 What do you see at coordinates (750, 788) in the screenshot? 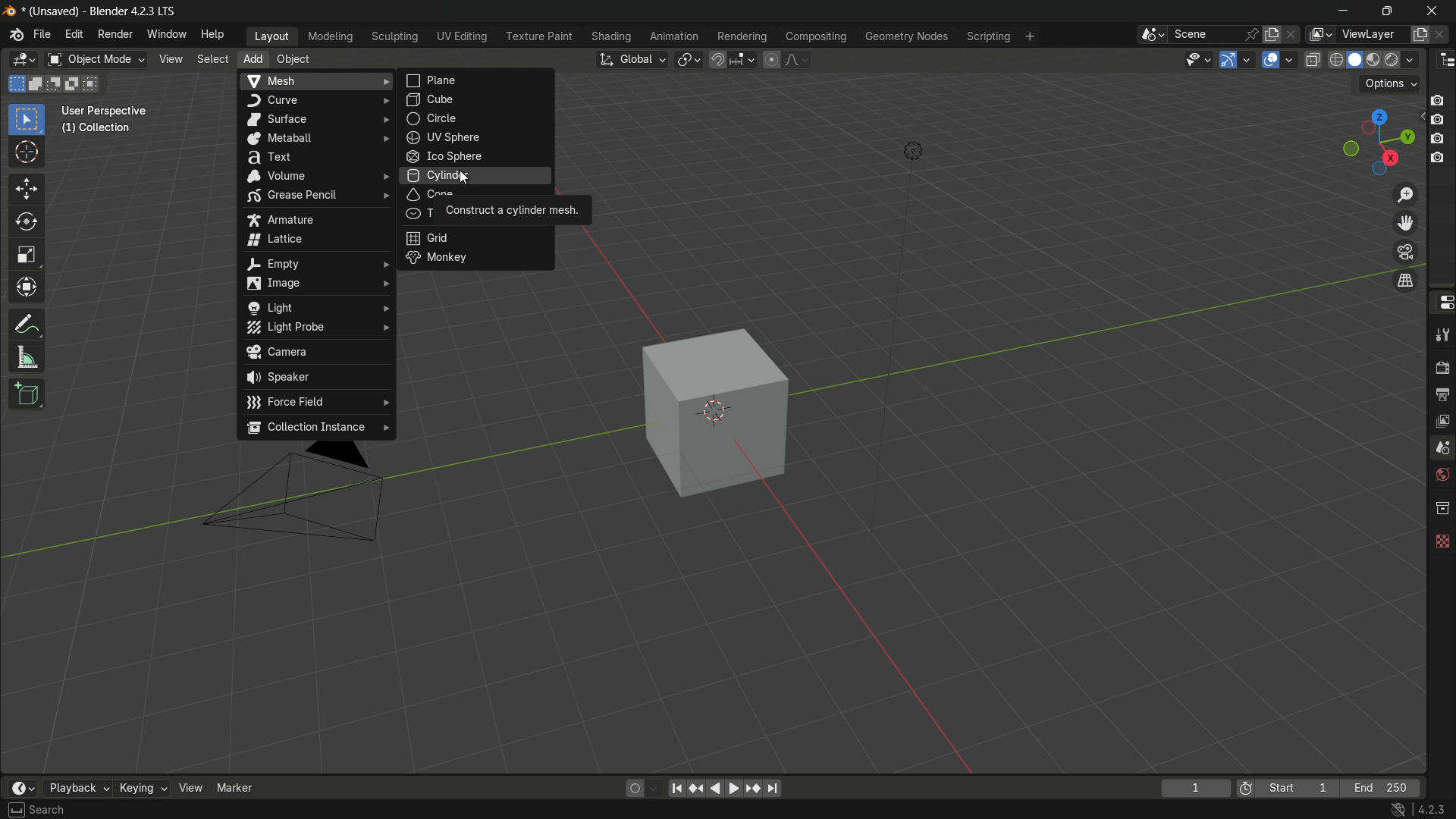
I see `jump to keyframe` at bounding box center [750, 788].